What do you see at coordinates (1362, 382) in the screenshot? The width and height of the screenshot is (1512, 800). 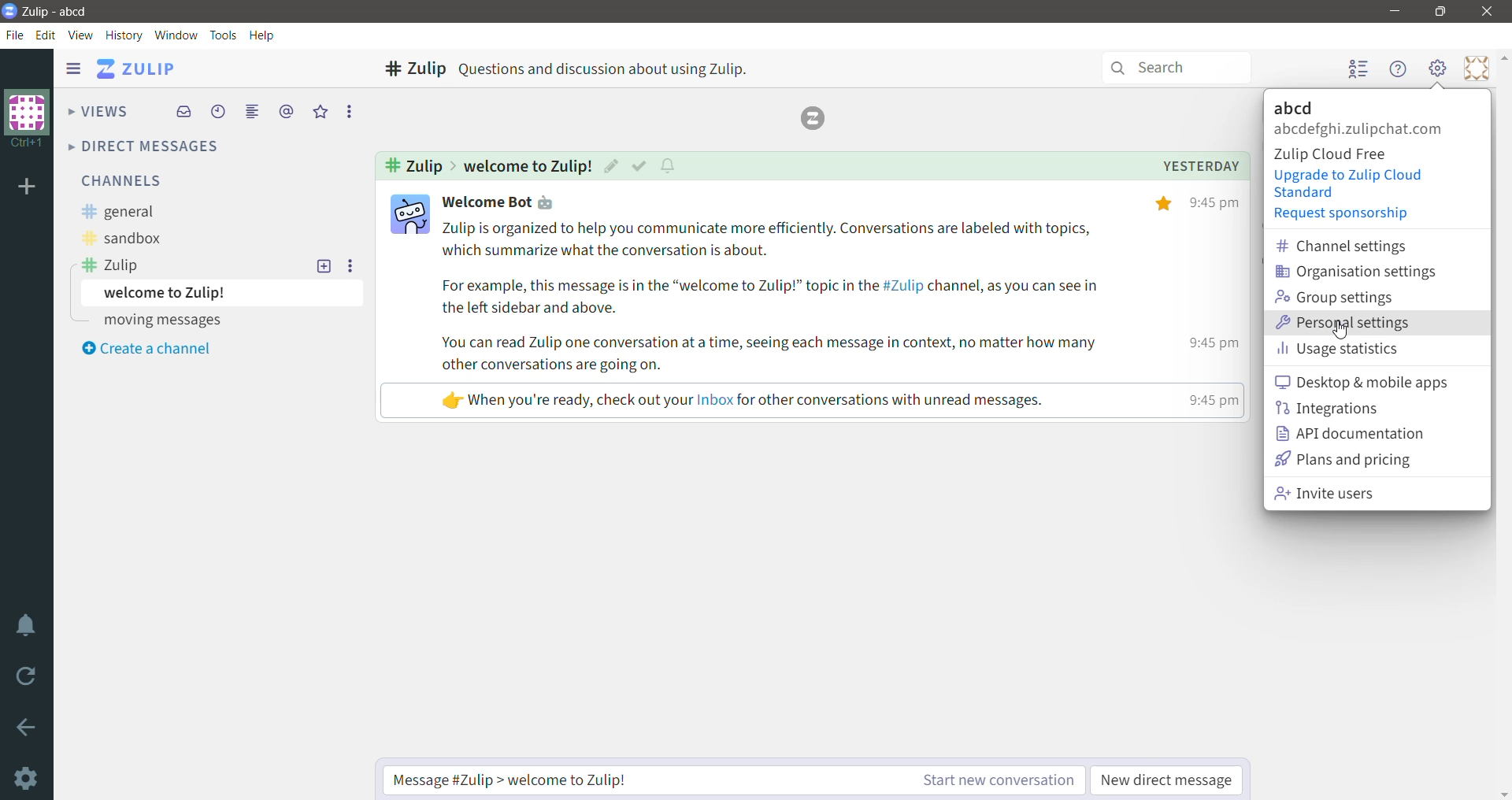 I see `Desktop and mobile apps` at bounding box center [1362, 382].